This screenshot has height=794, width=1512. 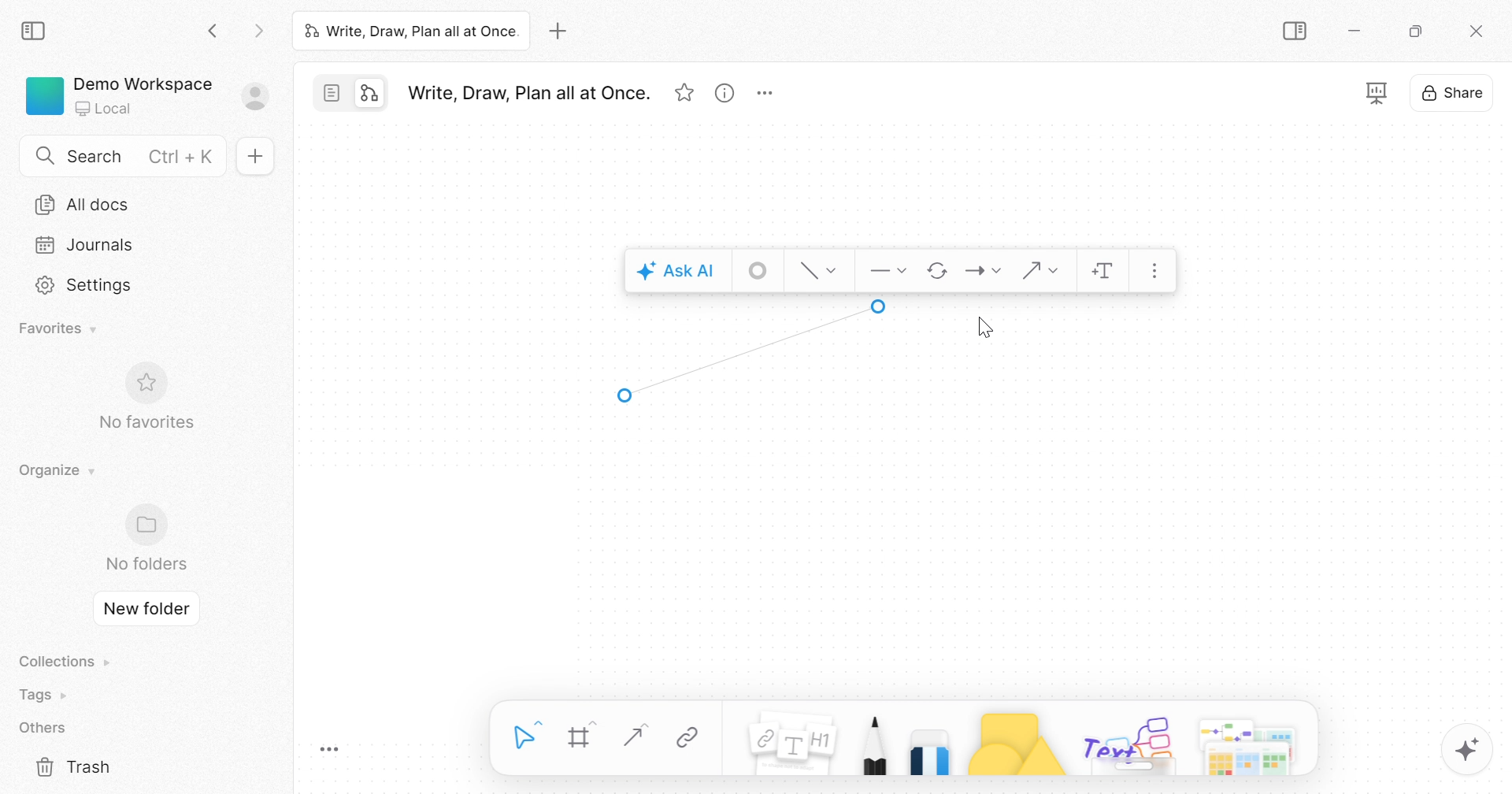 I want to click on Ctrl + K, so click(x=184, y=157).